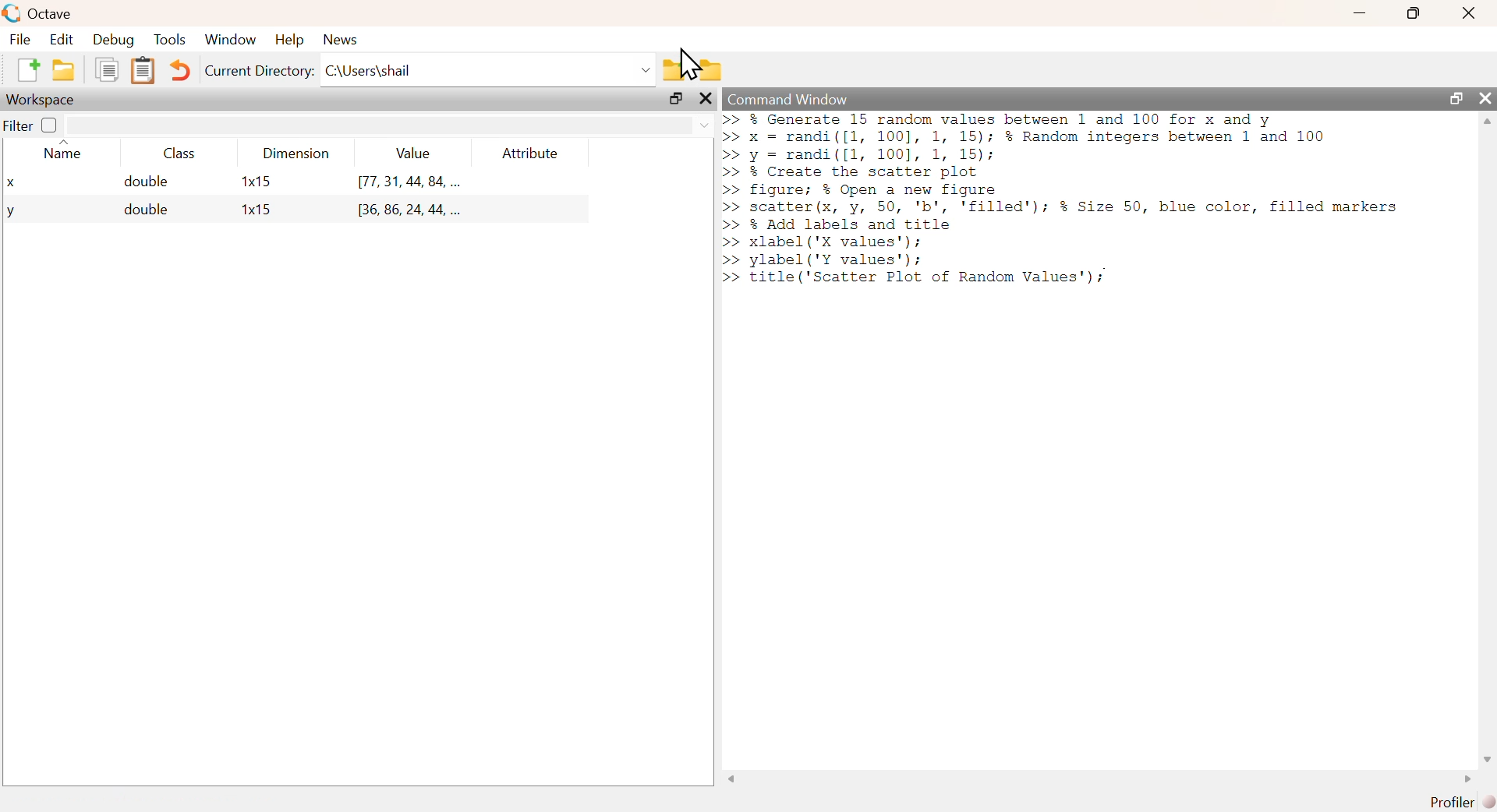 The width and height of the screenshot is (1497, 812). Describe the element at coordinates (410, 182) in the screenshot. I see `[77, 31, 44, 84, ...` at that location.